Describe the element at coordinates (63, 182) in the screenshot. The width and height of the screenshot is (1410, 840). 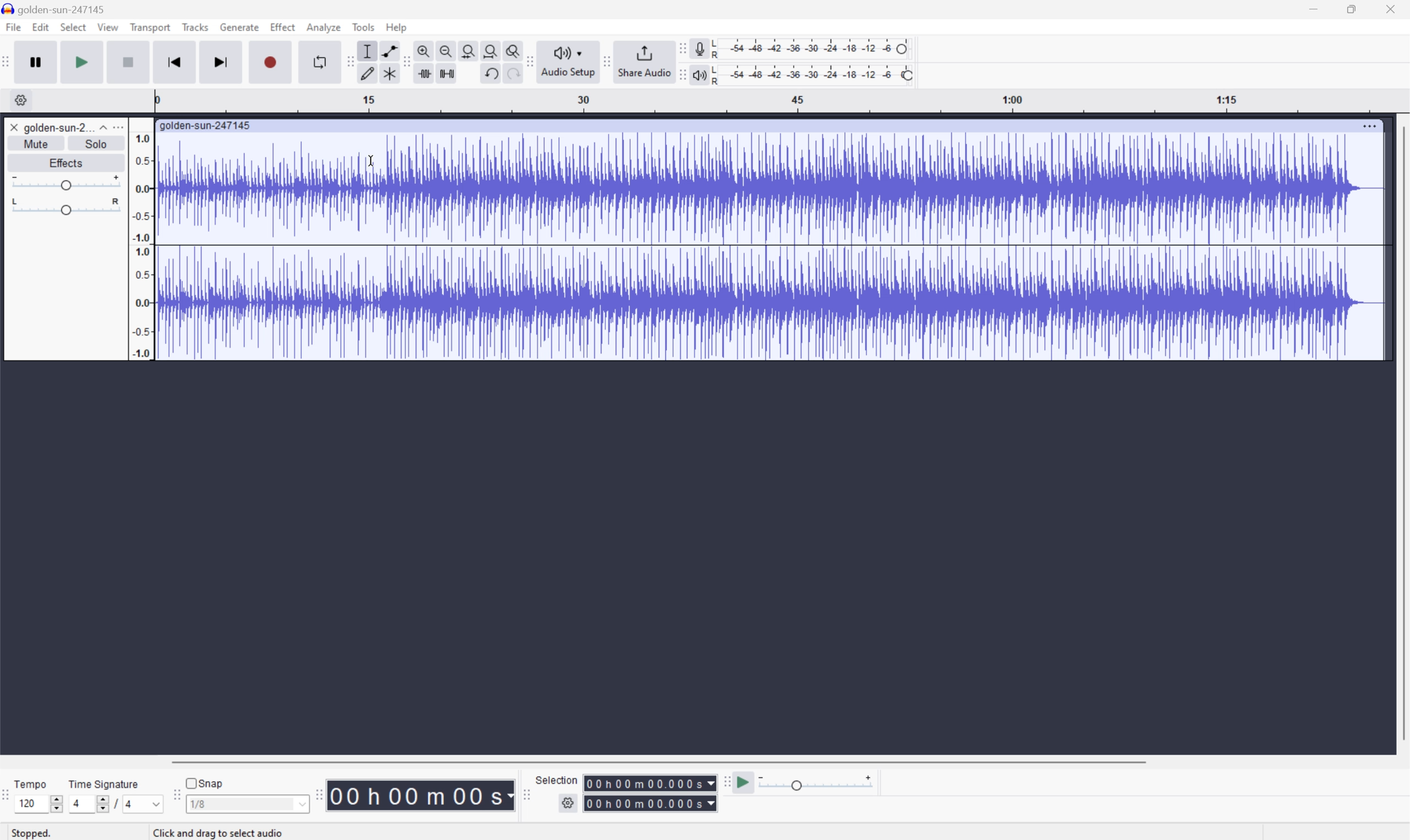
I see `Slider` at that location.